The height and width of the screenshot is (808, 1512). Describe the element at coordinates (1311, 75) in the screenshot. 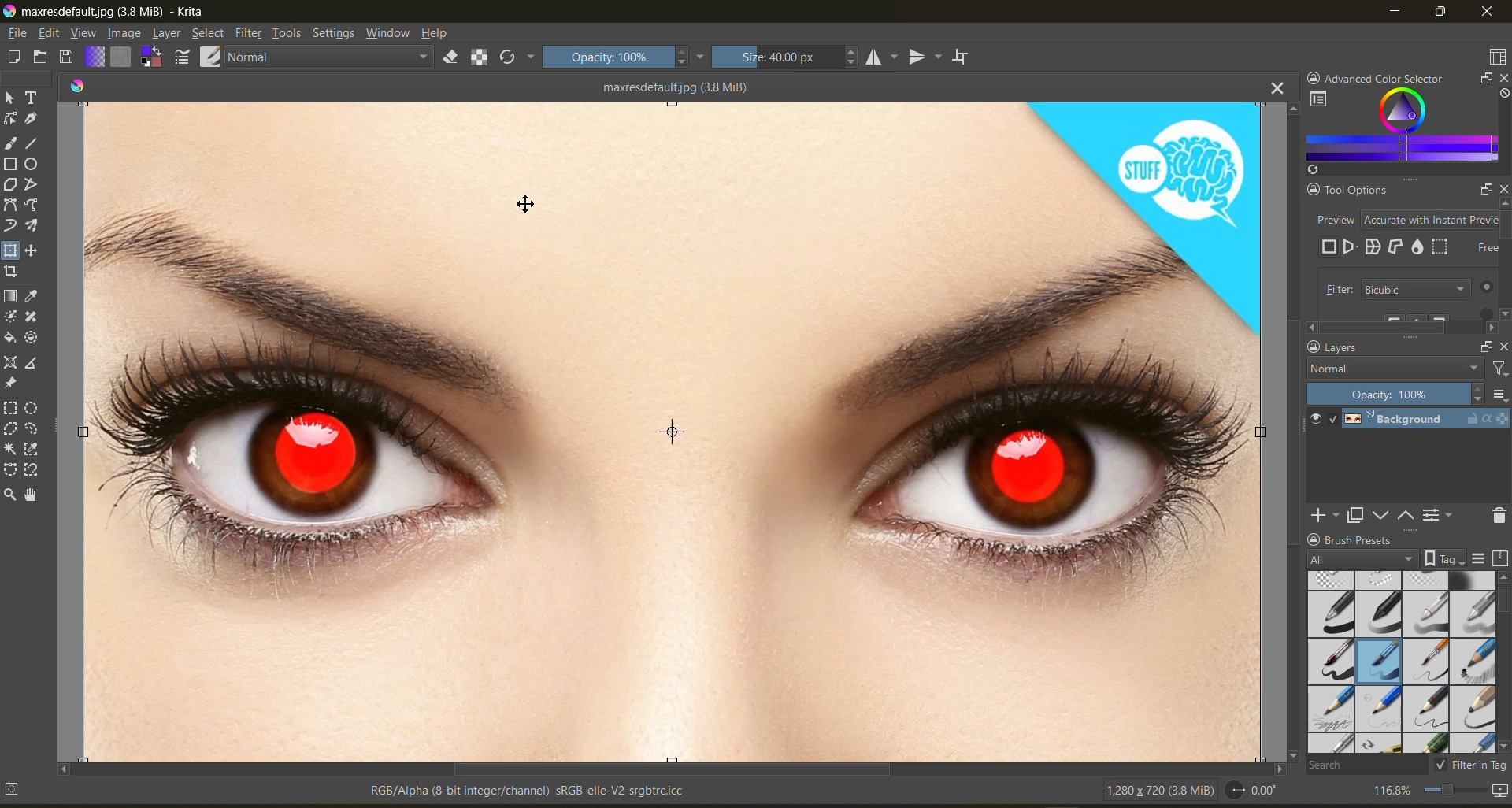

I see `lock docker` at that location.